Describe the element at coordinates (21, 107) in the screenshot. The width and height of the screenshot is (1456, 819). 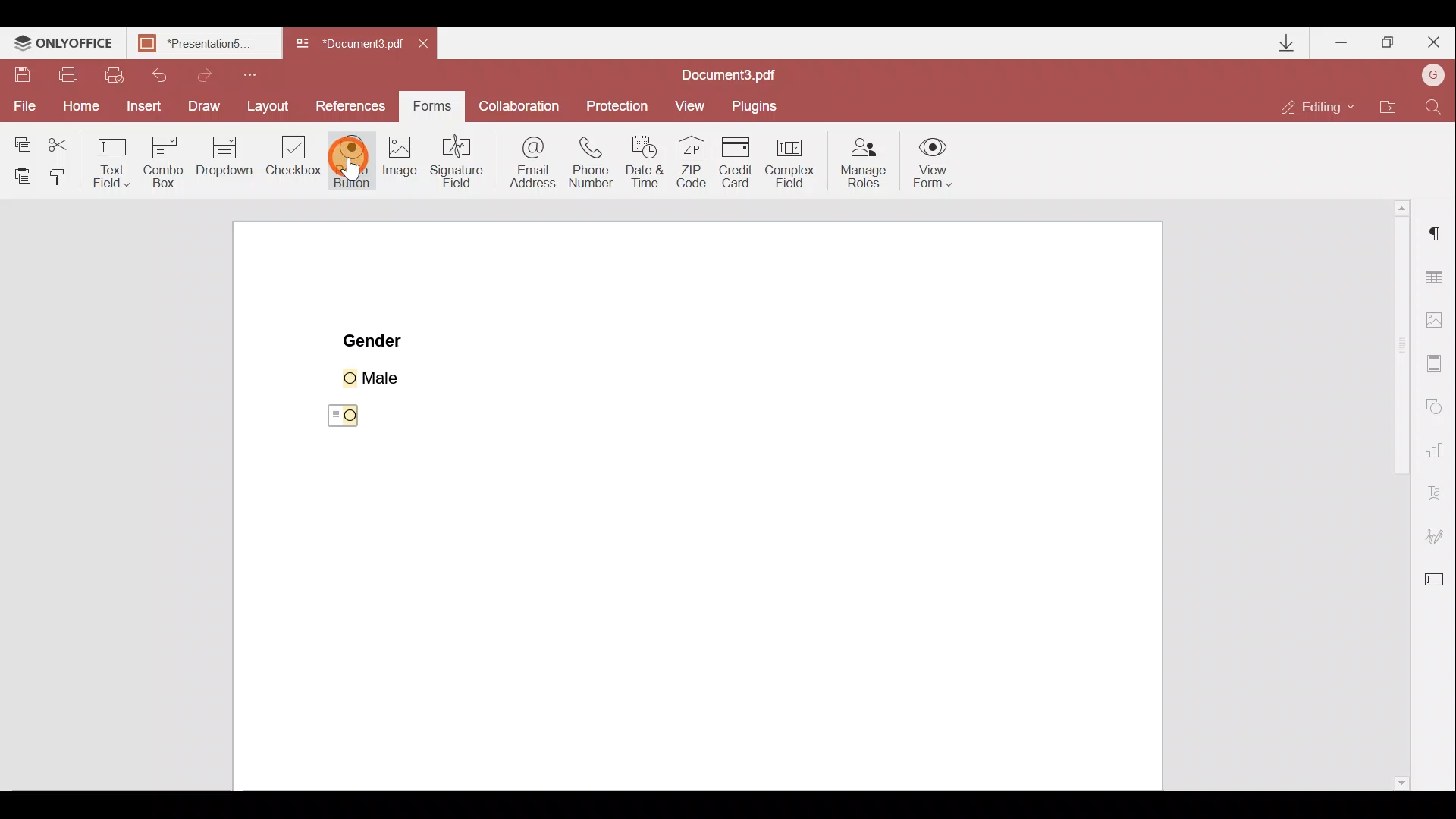
I see `File` at that location.